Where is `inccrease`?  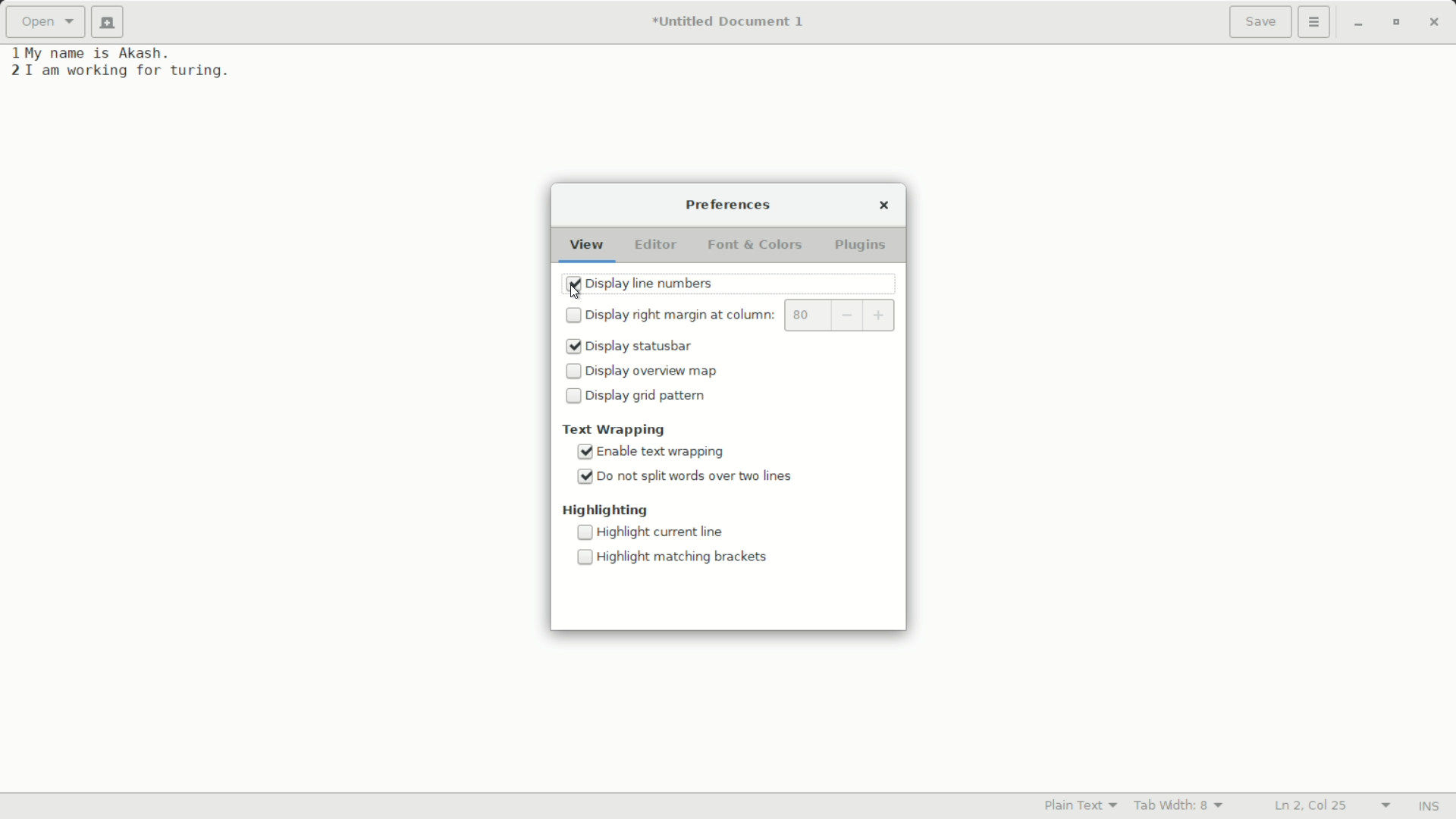 inccrease is located at coordinates (881, 313).